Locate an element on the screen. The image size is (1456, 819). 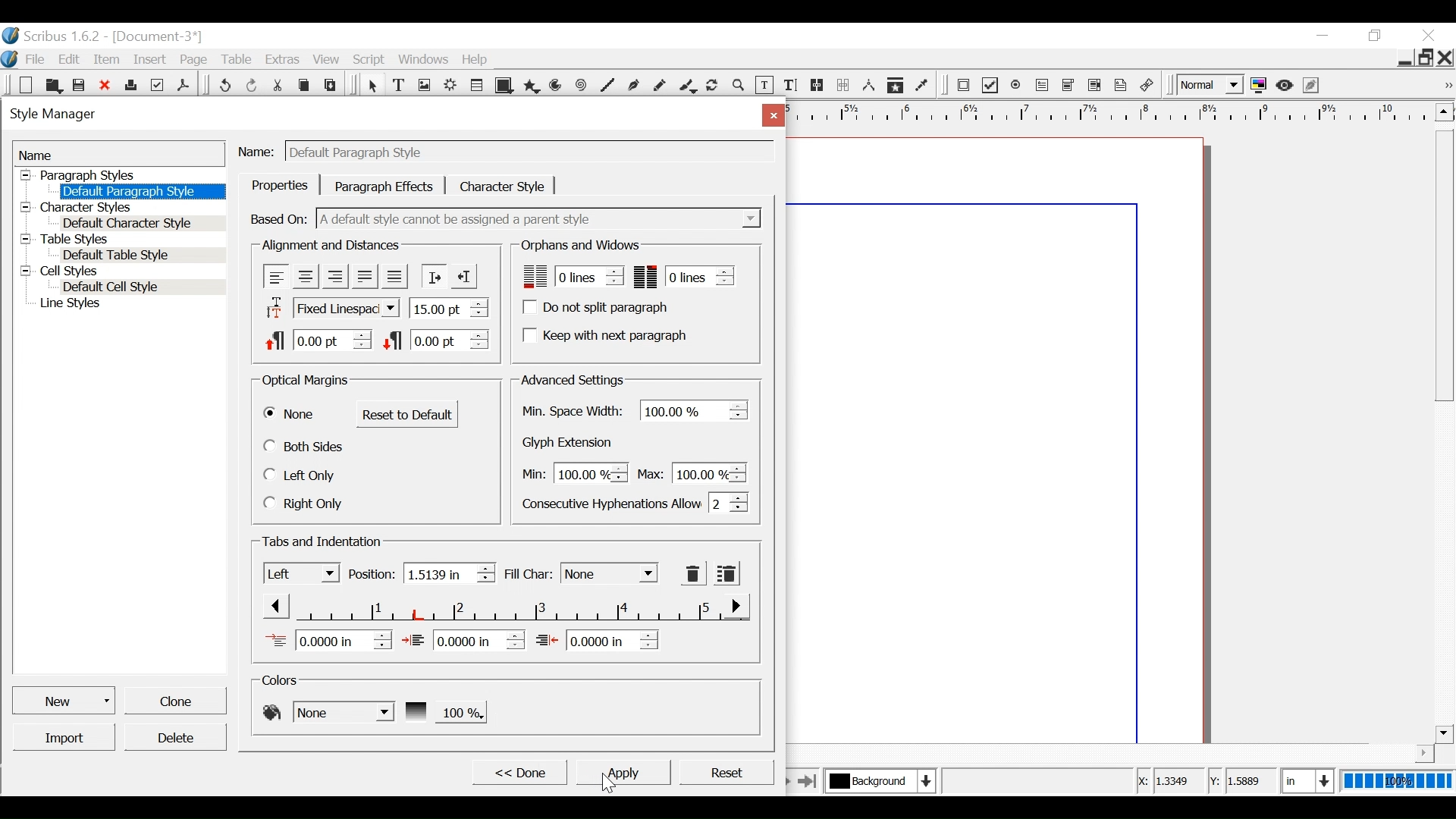
Edit in Preview mode is located at coordinates (1313, 85).